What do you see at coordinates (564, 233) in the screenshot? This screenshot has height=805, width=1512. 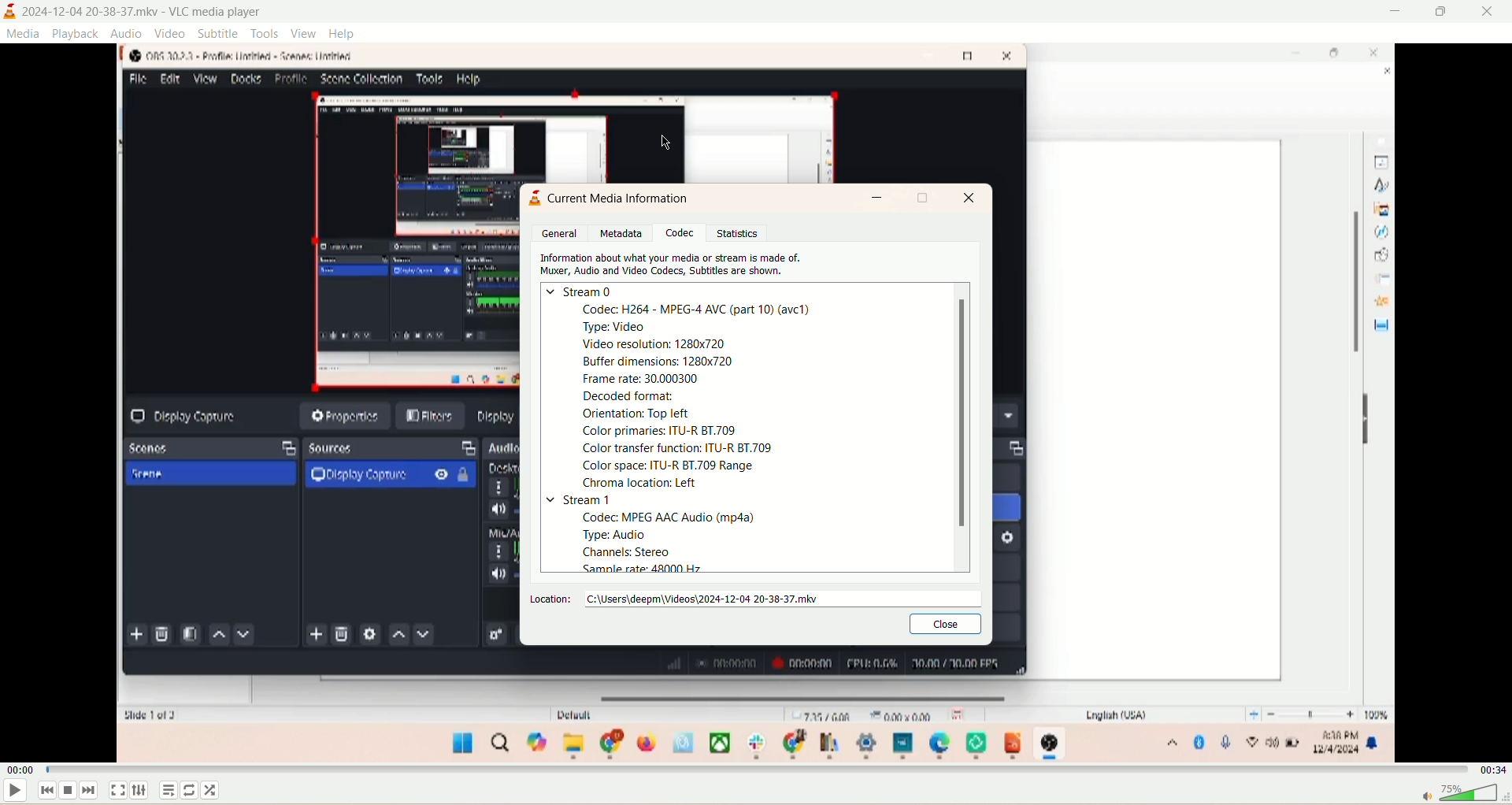 I see `general` at bounding box center [564, 233].